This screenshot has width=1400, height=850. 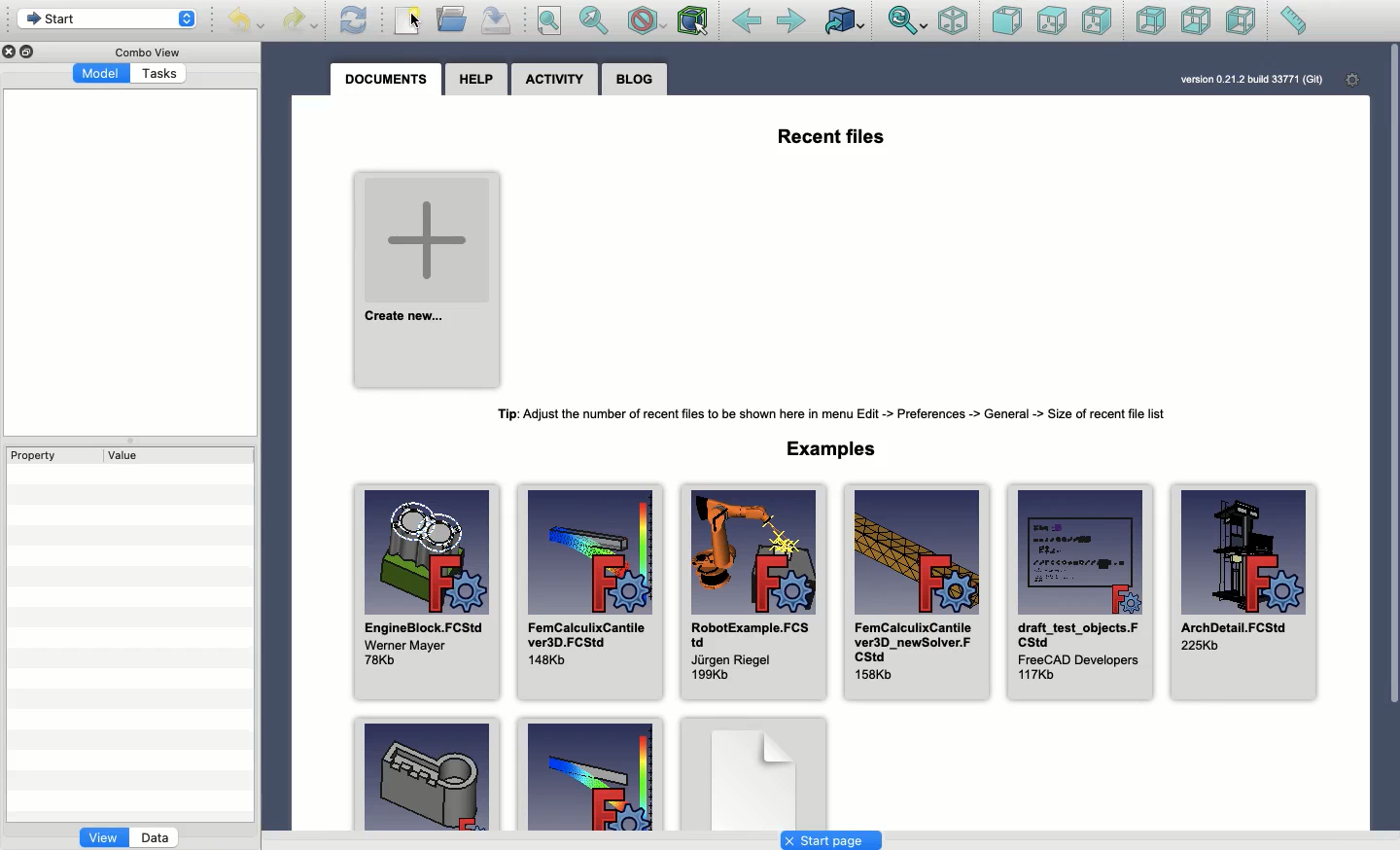 I want to click on Data, so click(x=157, y=836).